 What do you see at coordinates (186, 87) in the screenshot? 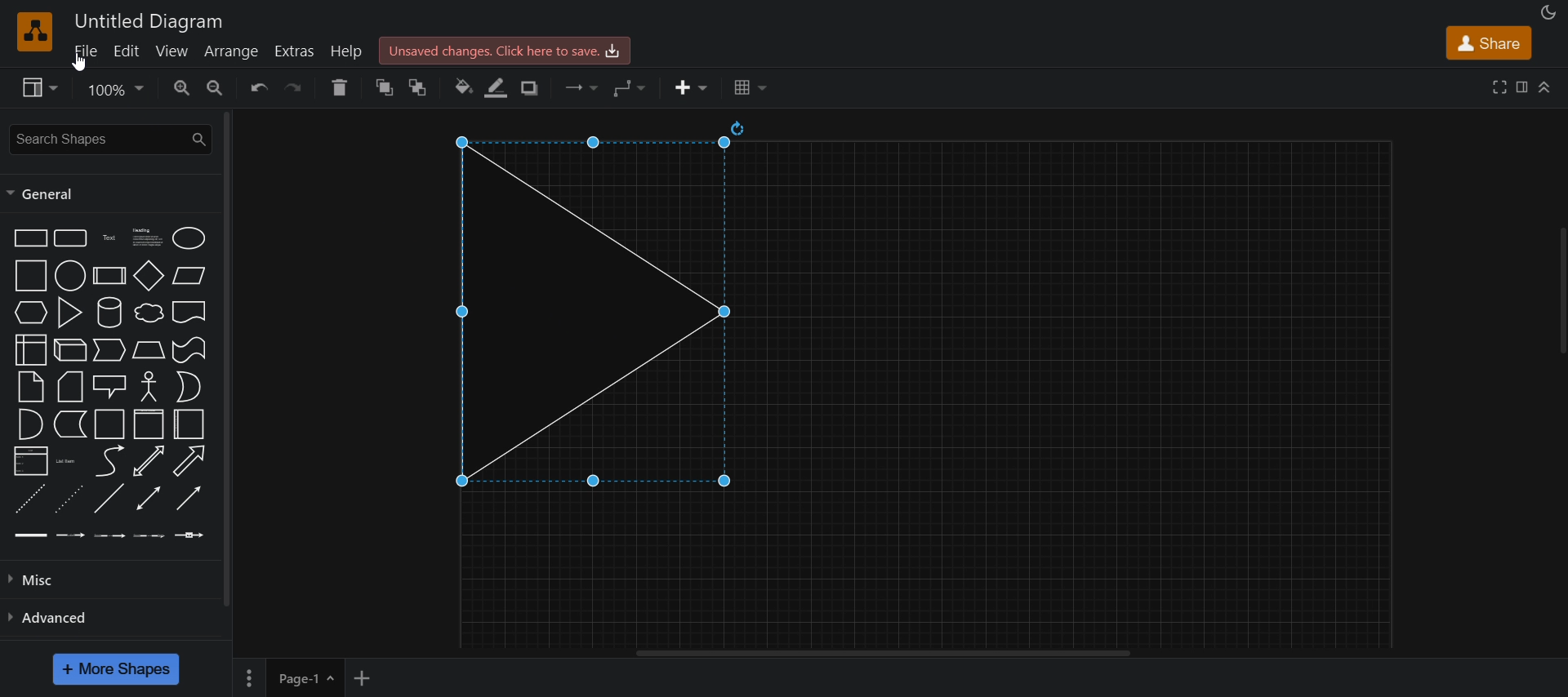
I see `zoom in` at bounding box center [186, 87].